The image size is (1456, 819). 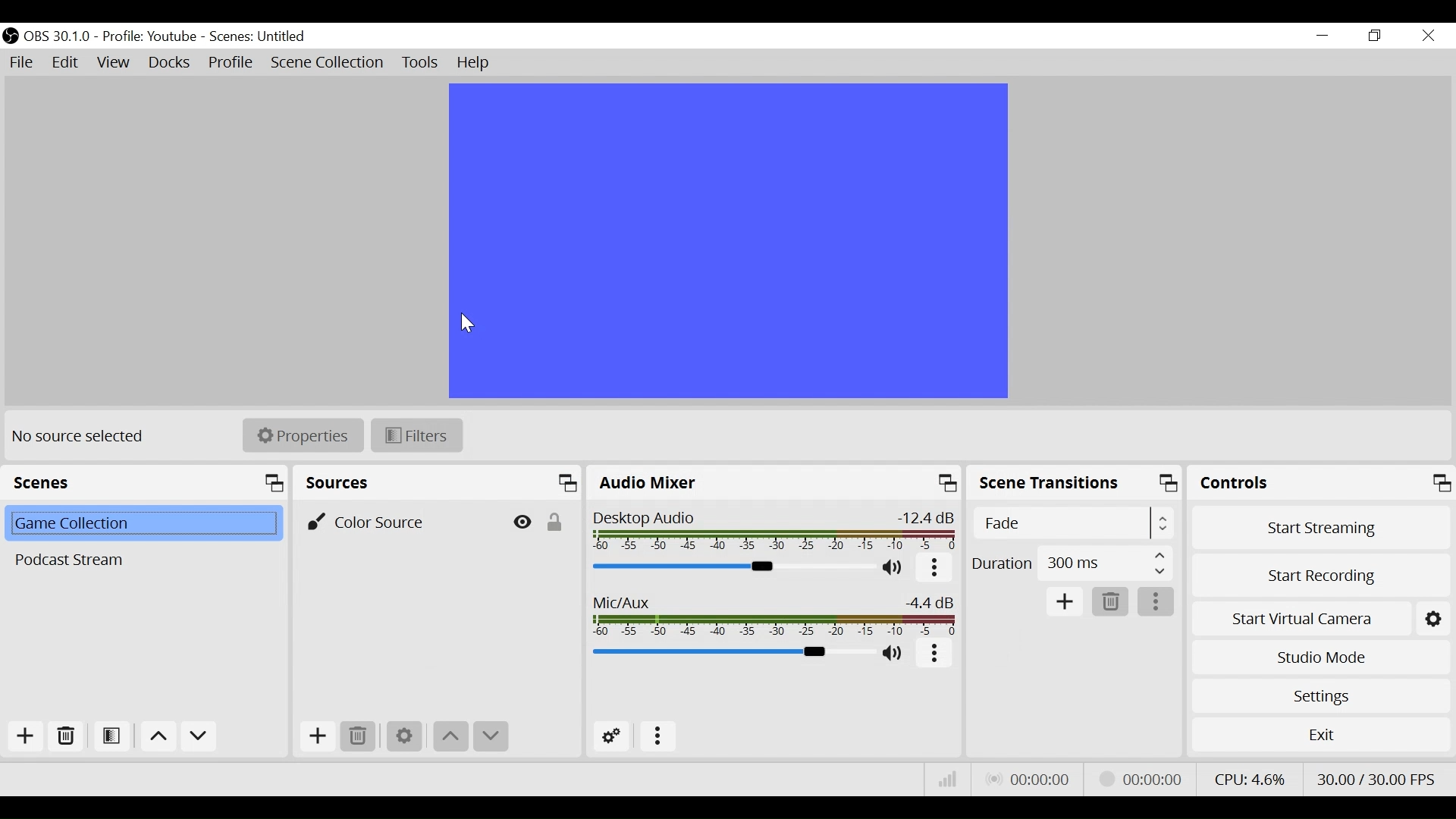 I want to click on (un)mute, so click(x=893, y=569).